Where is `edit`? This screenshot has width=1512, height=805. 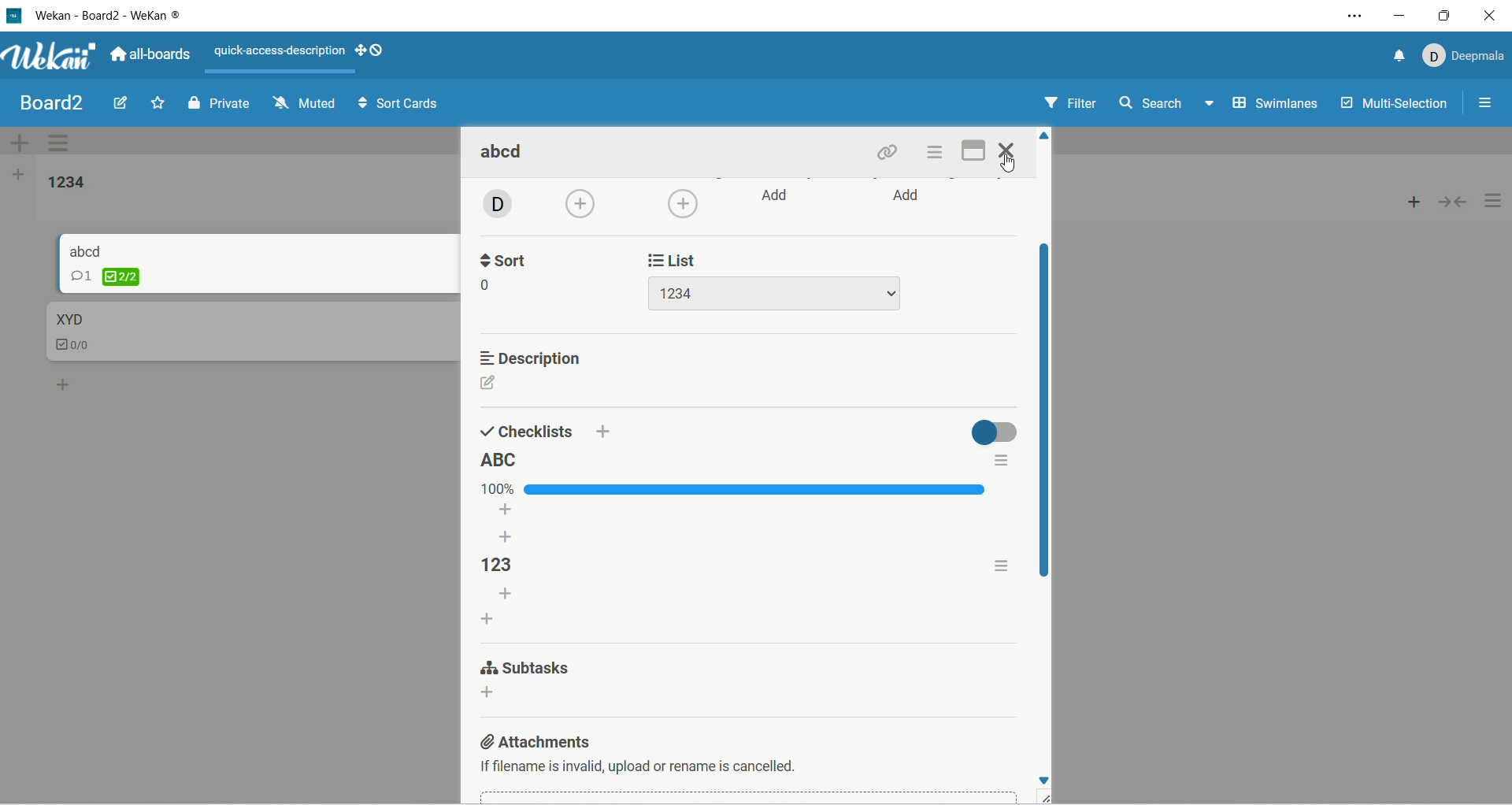 edit is located at coordinates (489, 383).